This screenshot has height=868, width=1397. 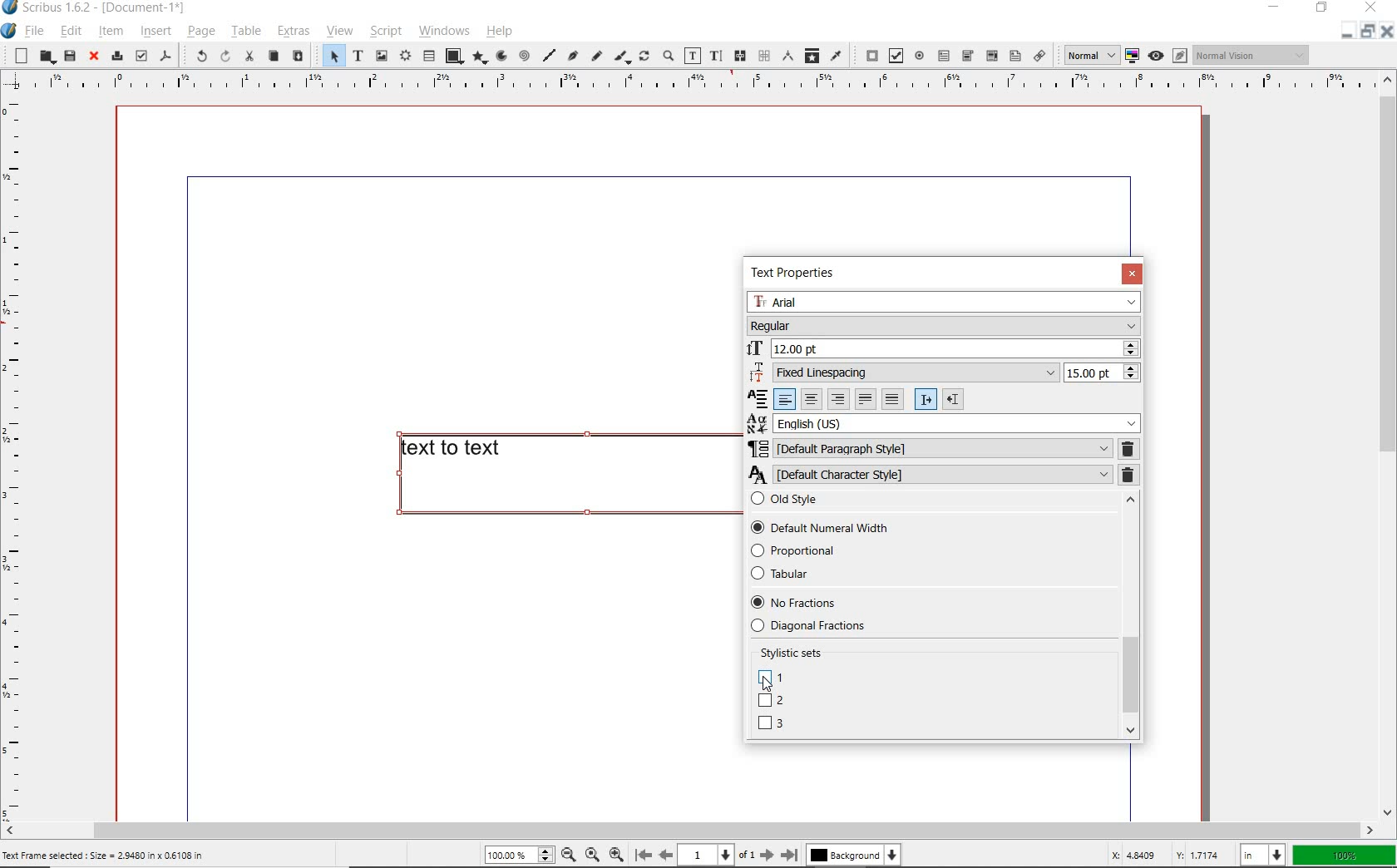 What do you see at coordinates (166, 57) in the screenshot?
I see `save as pdf` at bounding box center [166, 57].